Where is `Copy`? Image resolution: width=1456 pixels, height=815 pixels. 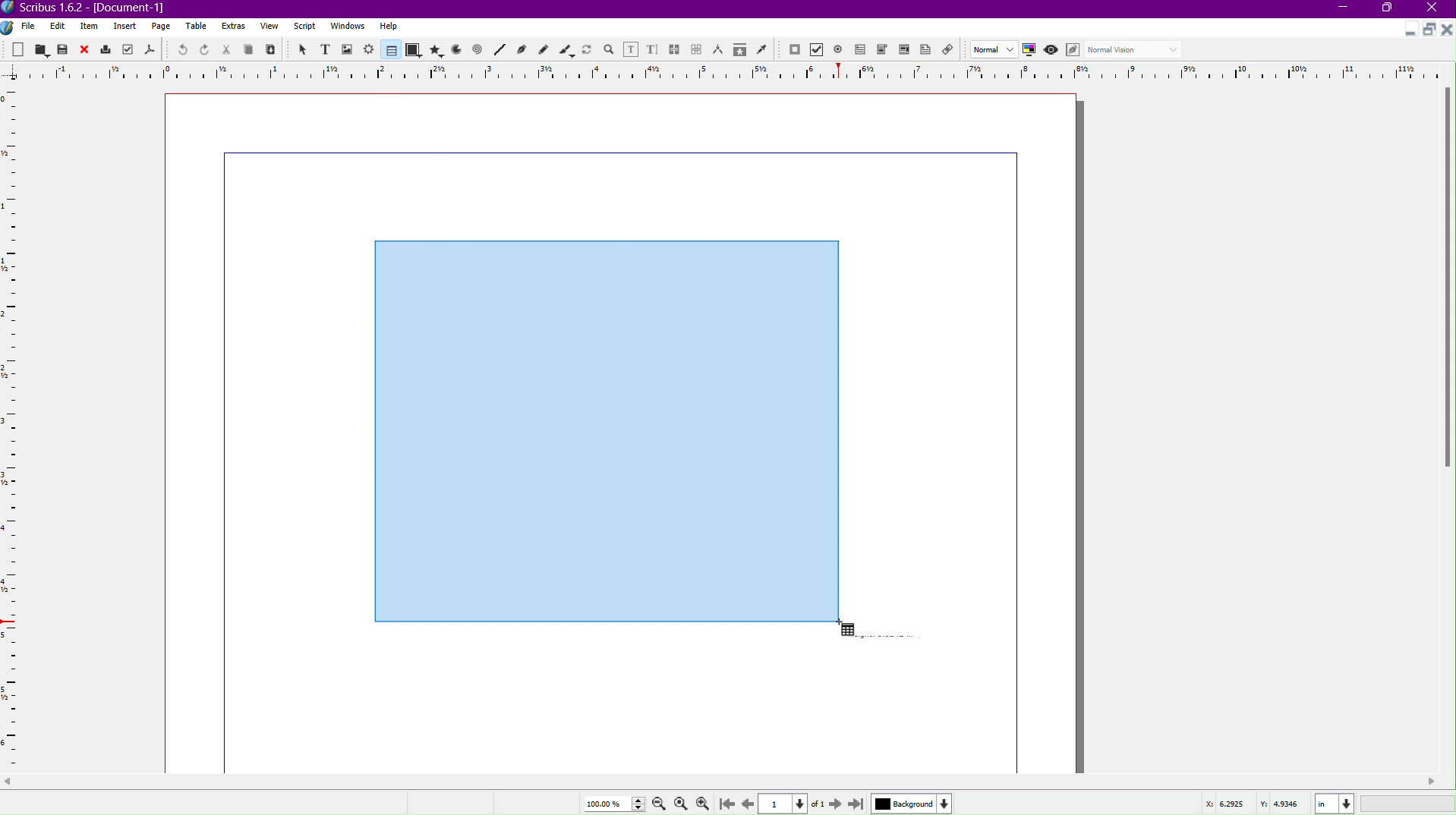 Copy is located at coordinates (251, 49).